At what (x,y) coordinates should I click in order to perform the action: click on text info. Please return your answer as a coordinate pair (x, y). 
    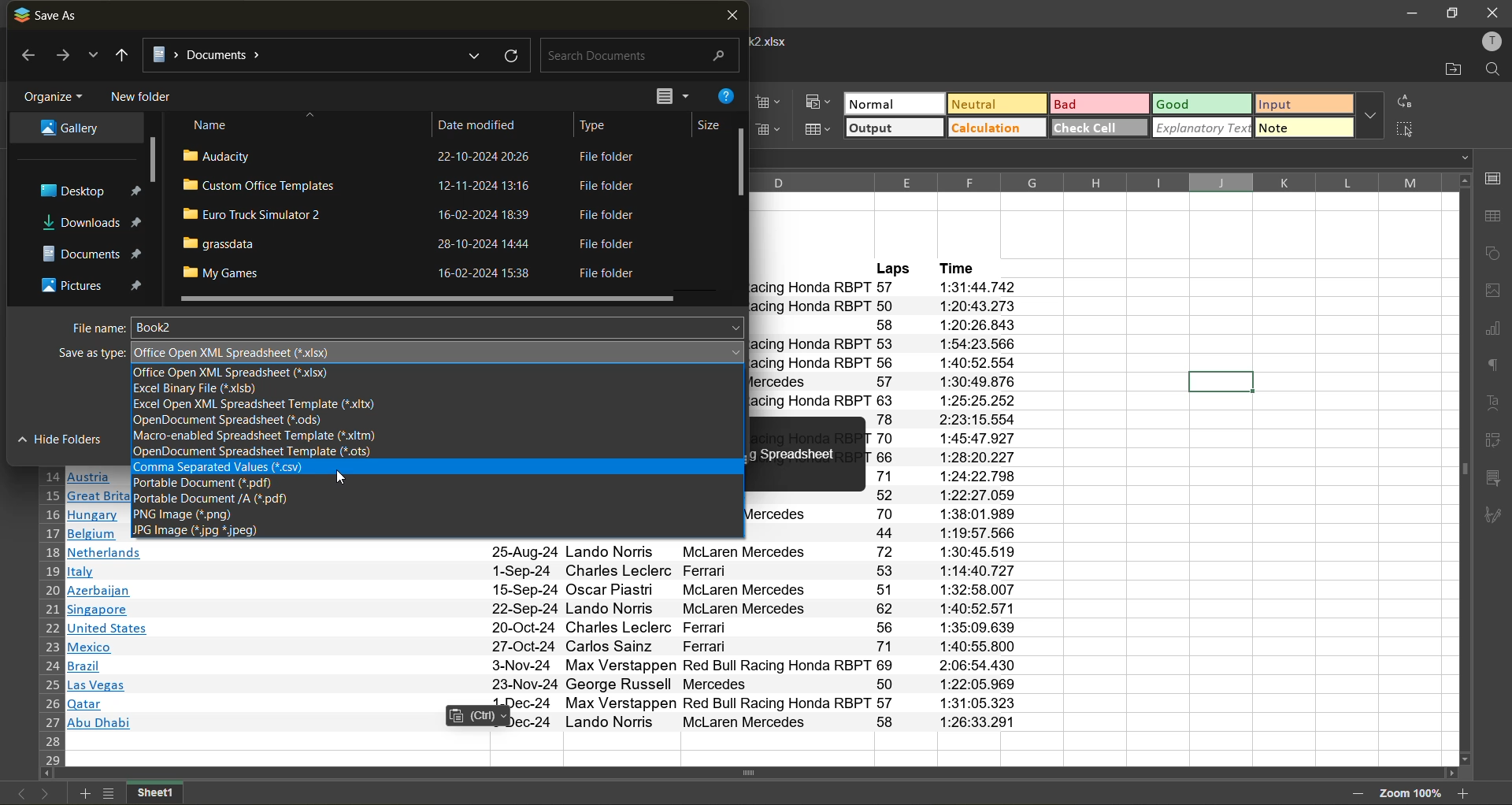
    Looking at the image, I should click on (545, 591).